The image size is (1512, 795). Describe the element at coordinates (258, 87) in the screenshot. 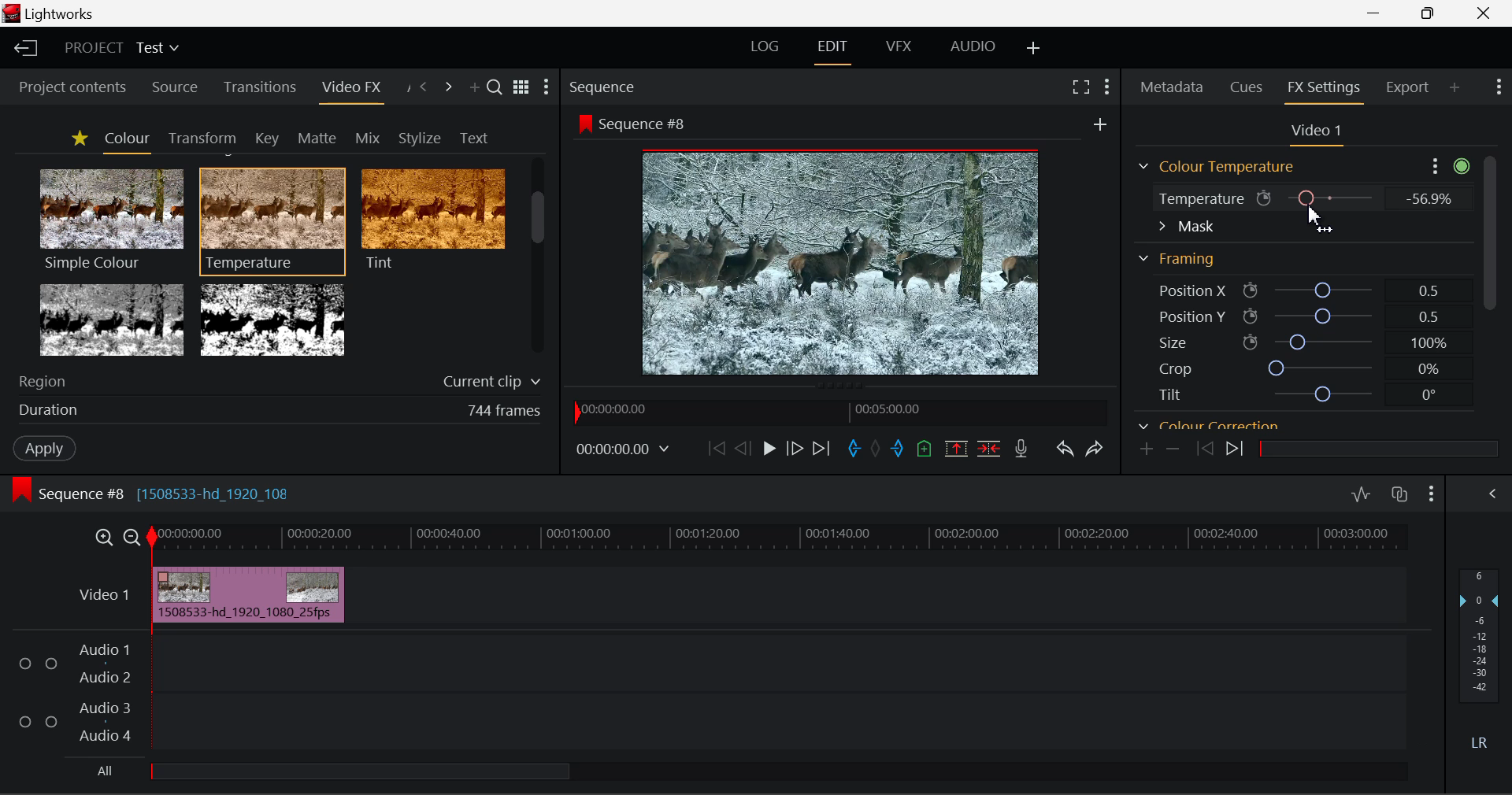

I see `Transitions` at that location.